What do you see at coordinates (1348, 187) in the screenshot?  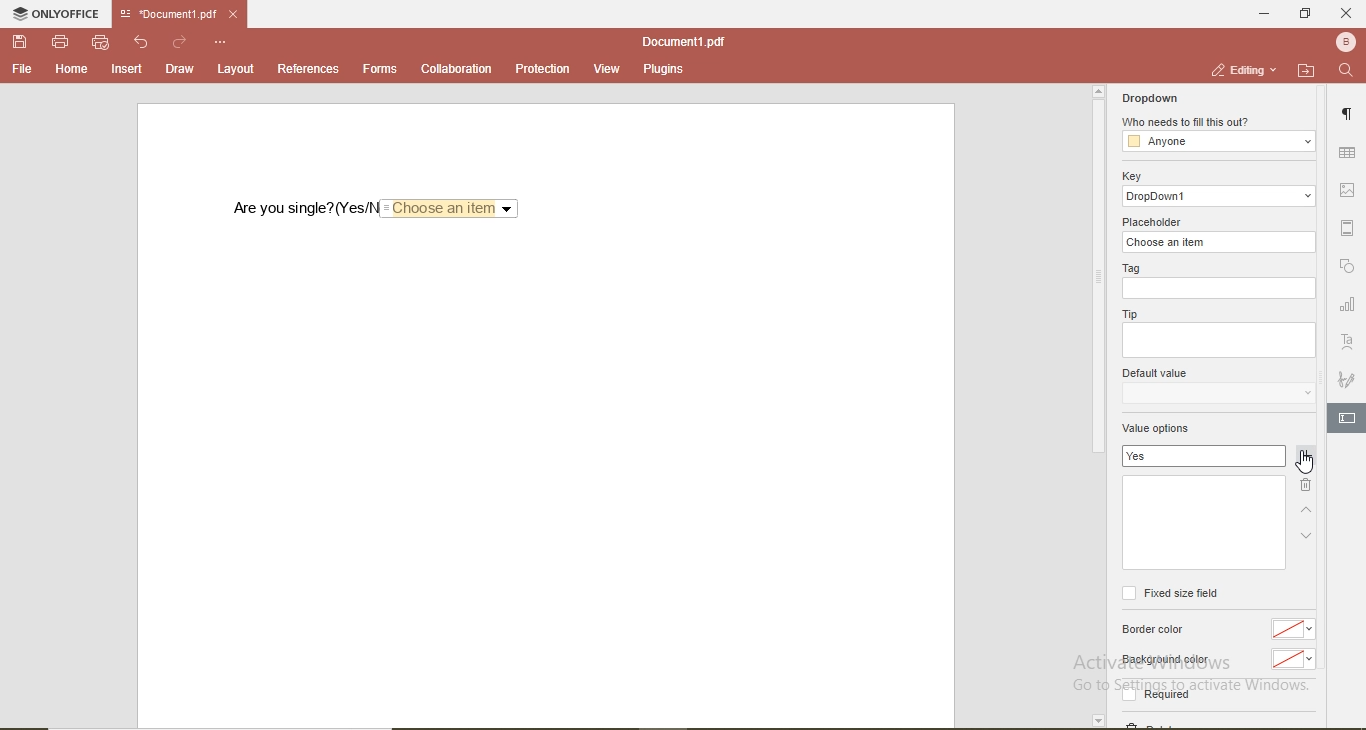 I see `image` at bounding box center [1348, 187].